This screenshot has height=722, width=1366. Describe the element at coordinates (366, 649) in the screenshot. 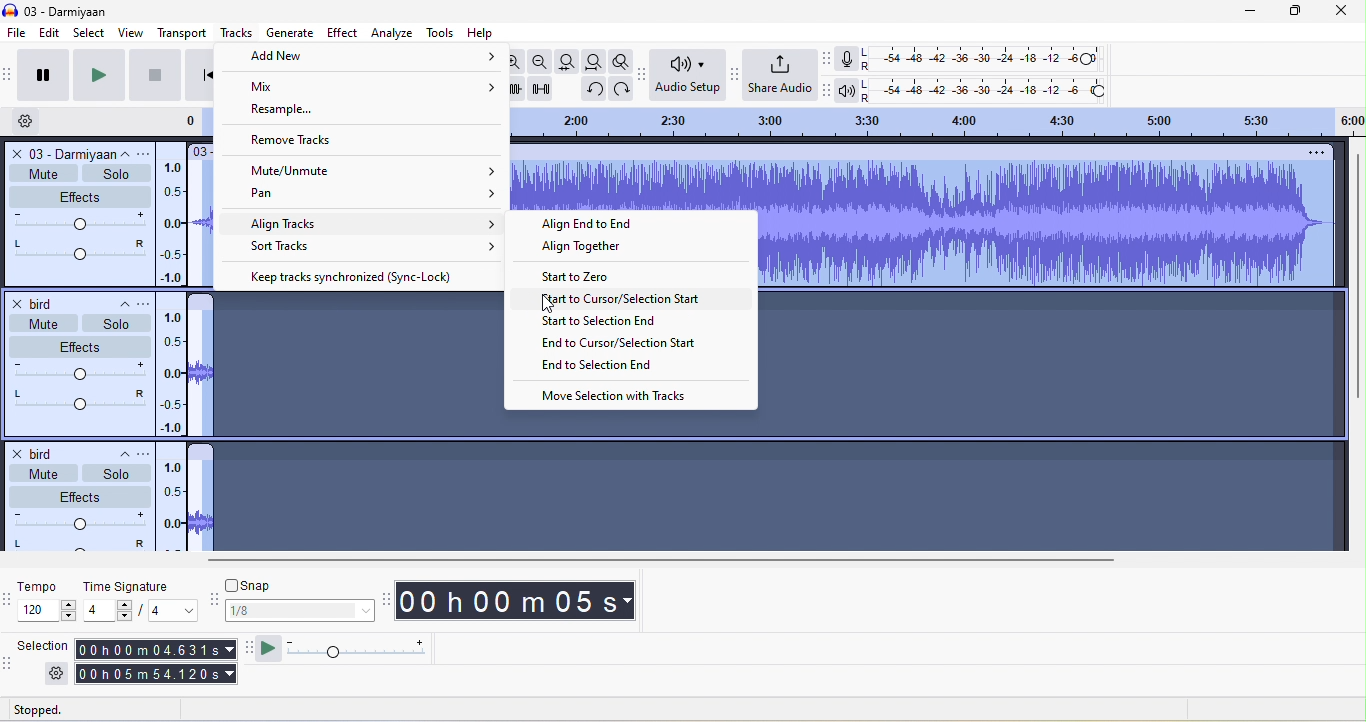

I see `play at speed` at that location.